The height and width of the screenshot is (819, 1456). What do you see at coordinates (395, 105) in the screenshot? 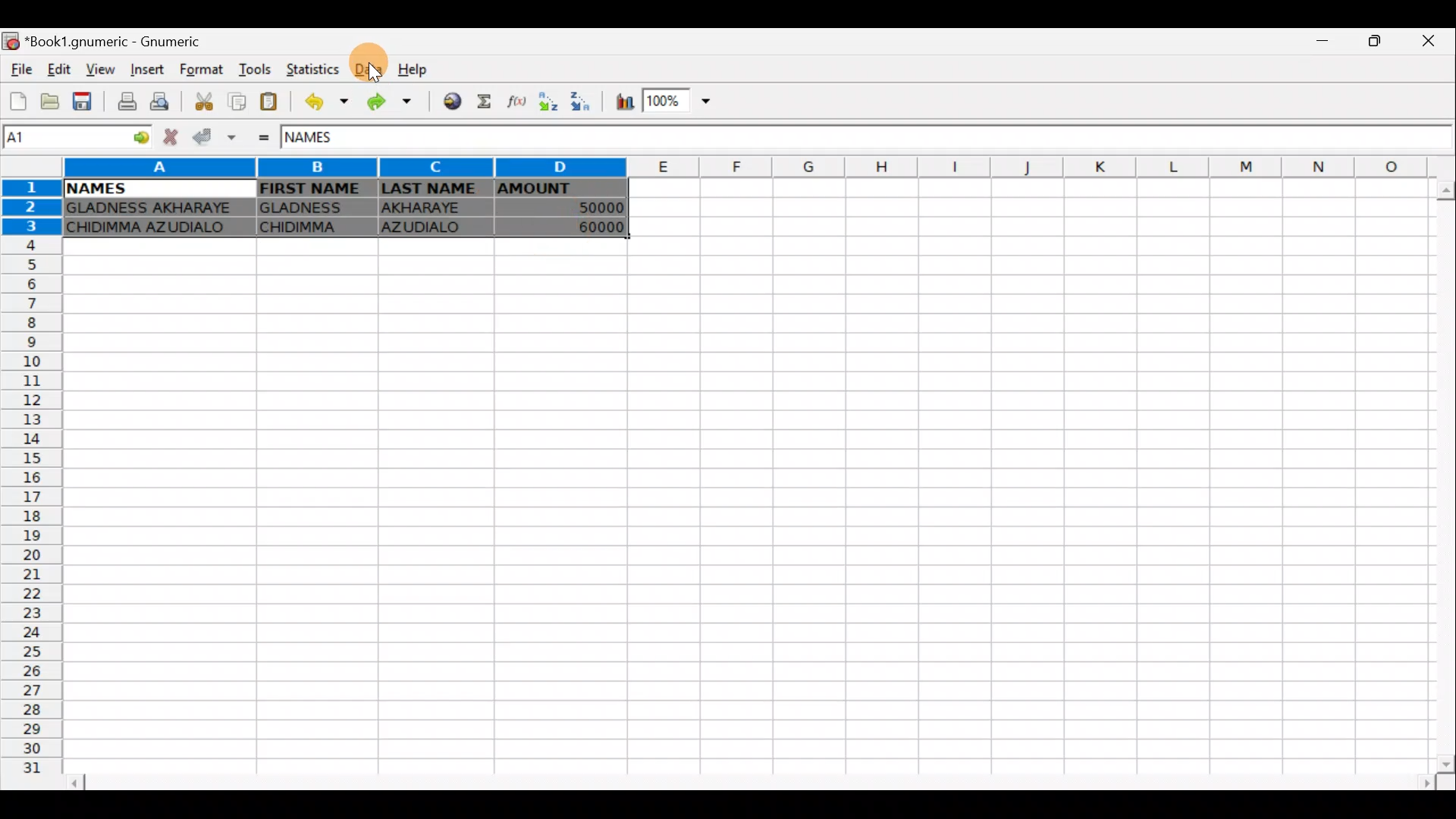
I see `Redo undone action` at bounding box center [395, 105].